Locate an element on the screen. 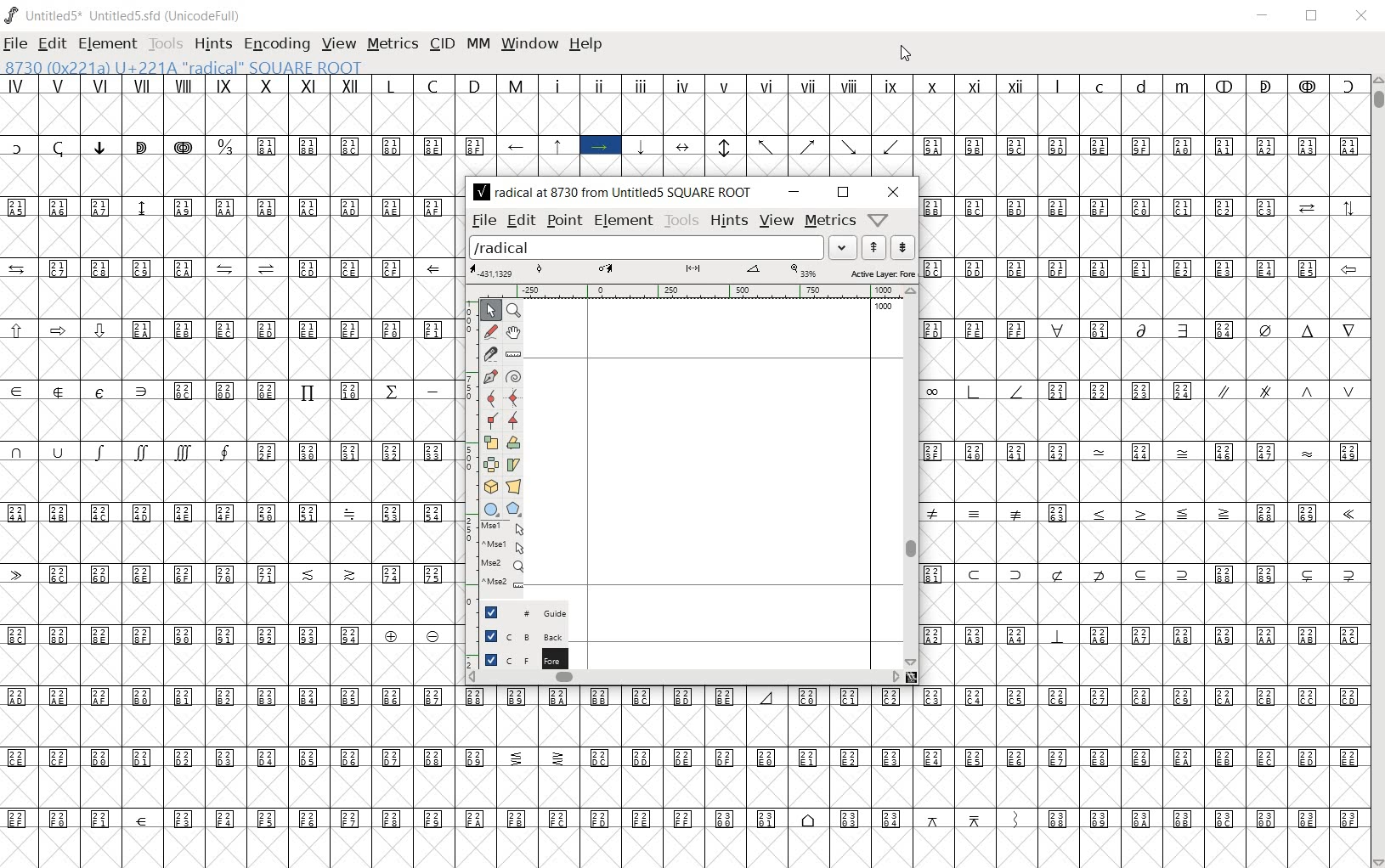  scrollbar is located at coordinates (913, 476).